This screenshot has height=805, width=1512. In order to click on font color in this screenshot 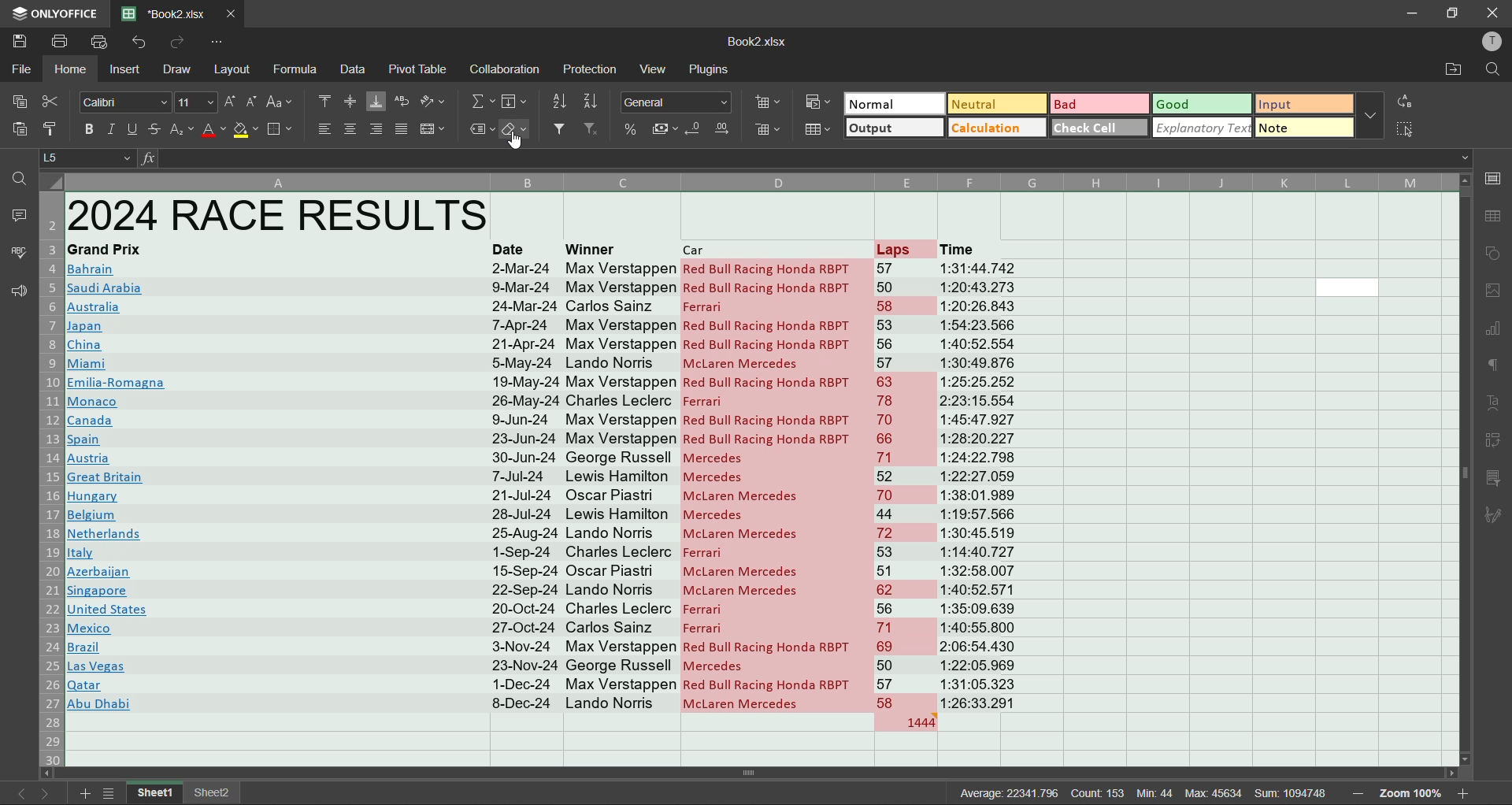, I will do `click(214, 131)`.